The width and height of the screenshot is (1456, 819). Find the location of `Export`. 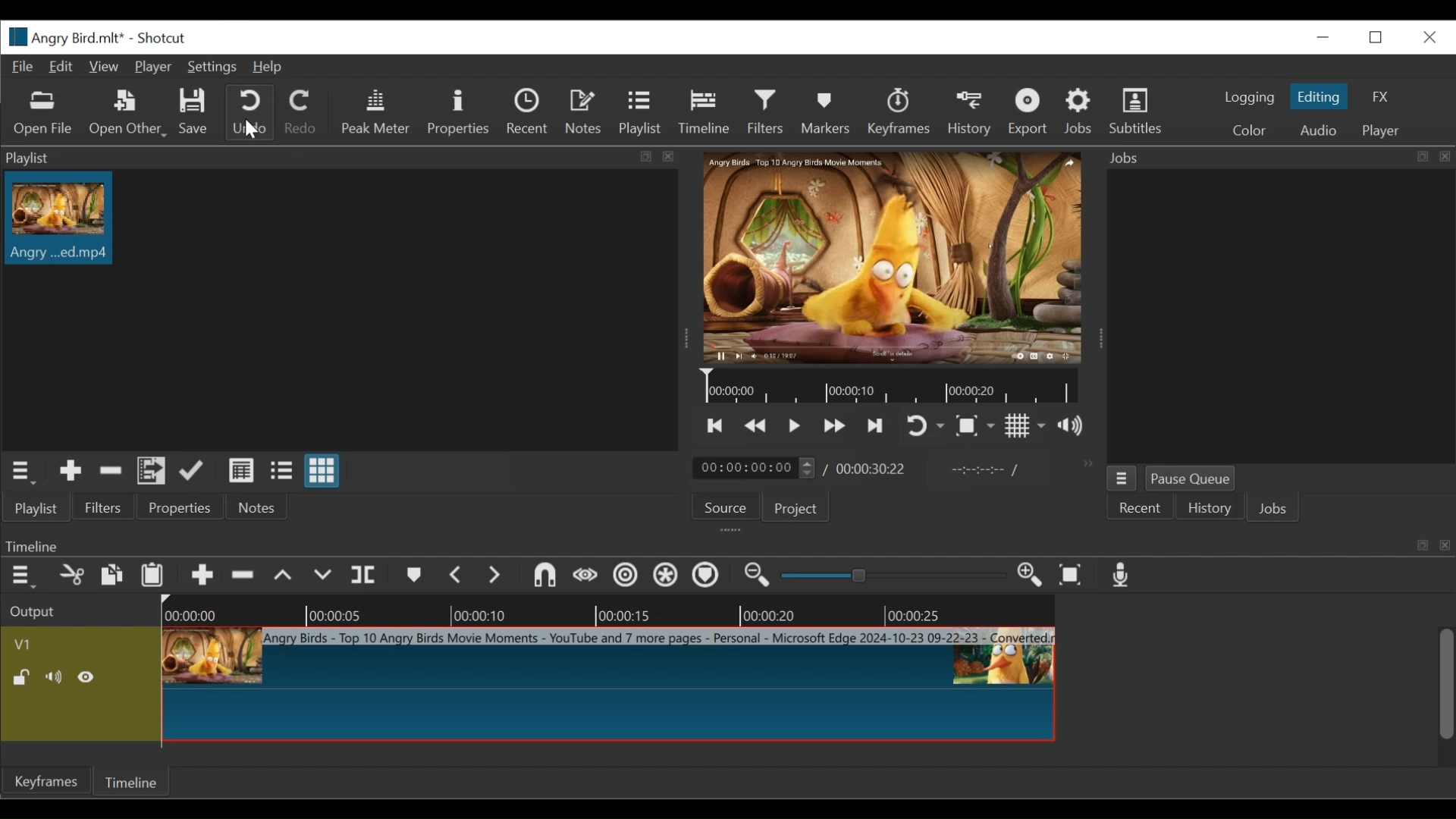

Export is located at coordinates (1027, 111).